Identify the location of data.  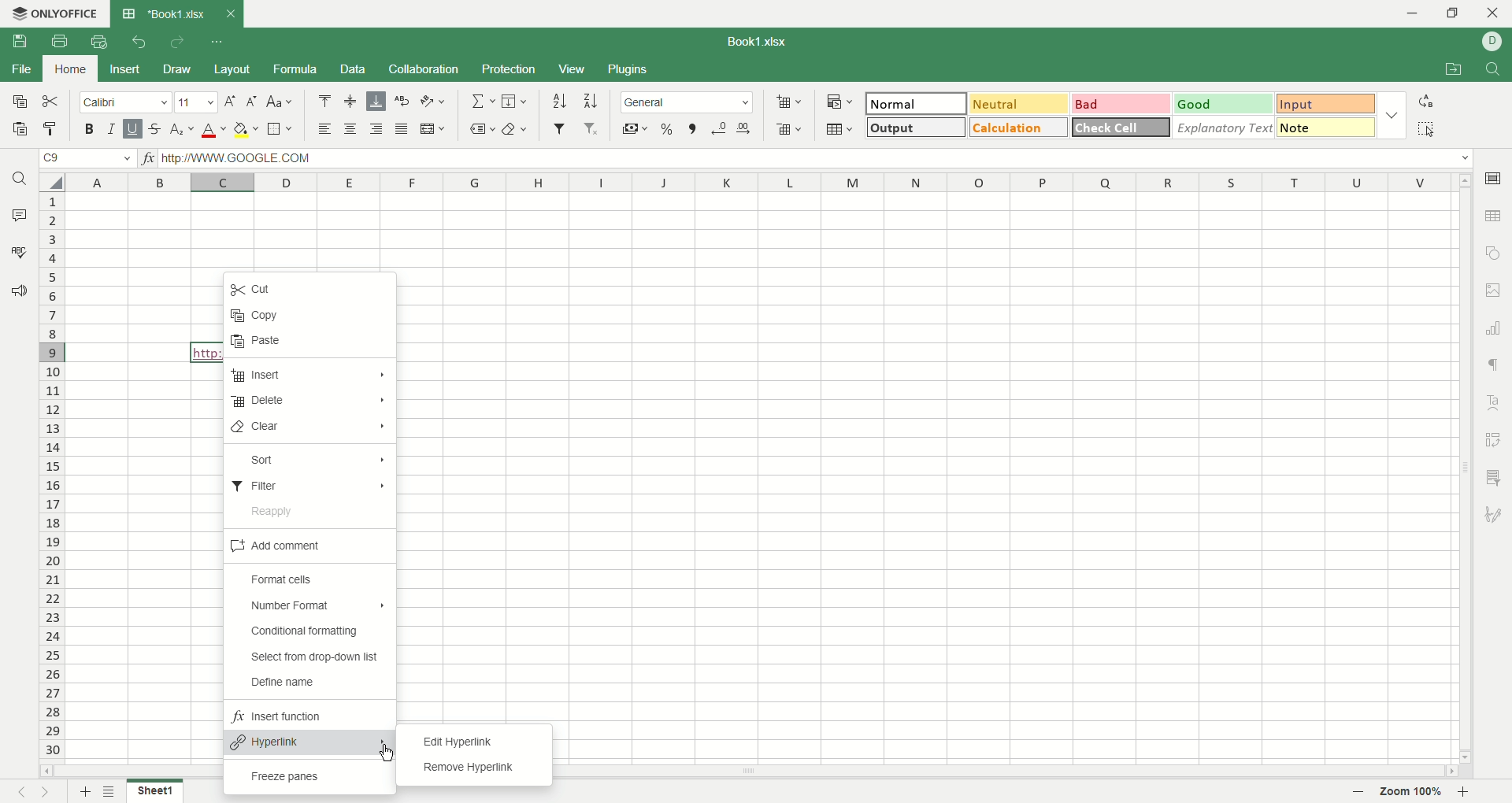
(354, 68).